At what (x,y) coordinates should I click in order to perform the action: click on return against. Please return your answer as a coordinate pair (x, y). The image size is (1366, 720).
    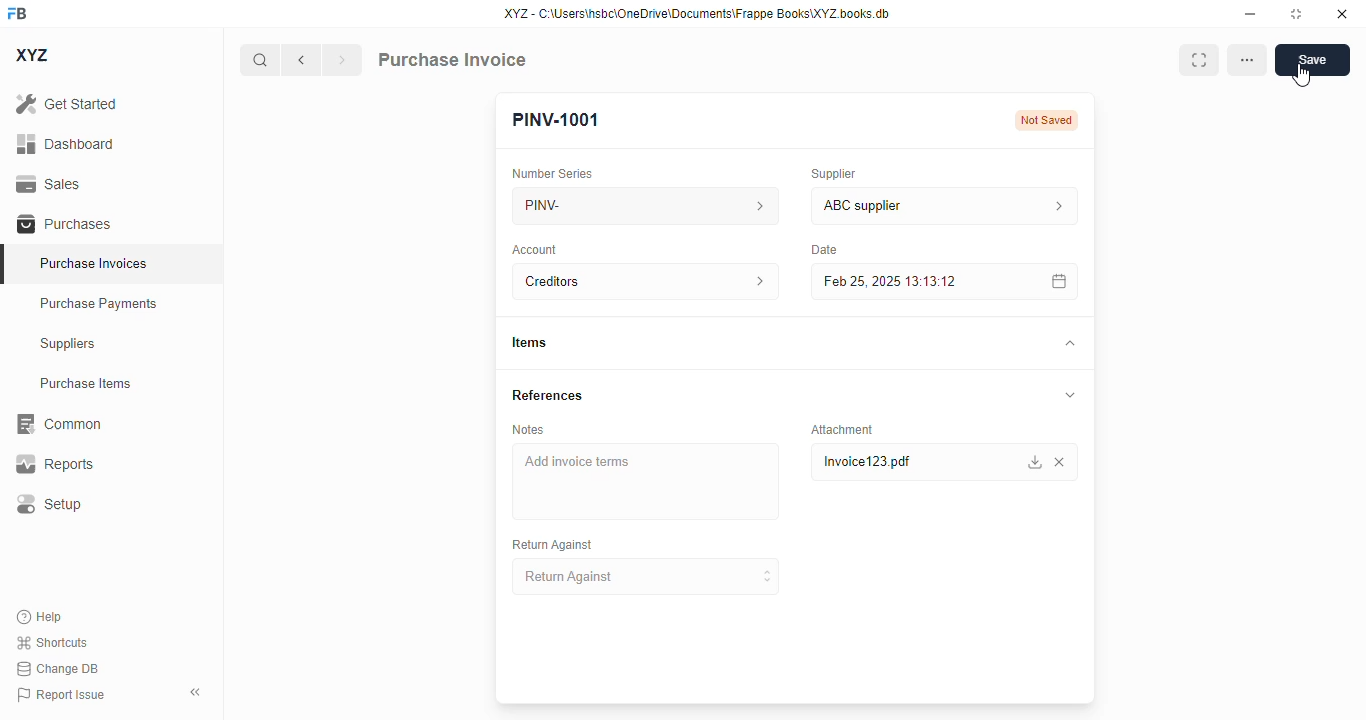
    Looking at the image, I should click on (551, 545).